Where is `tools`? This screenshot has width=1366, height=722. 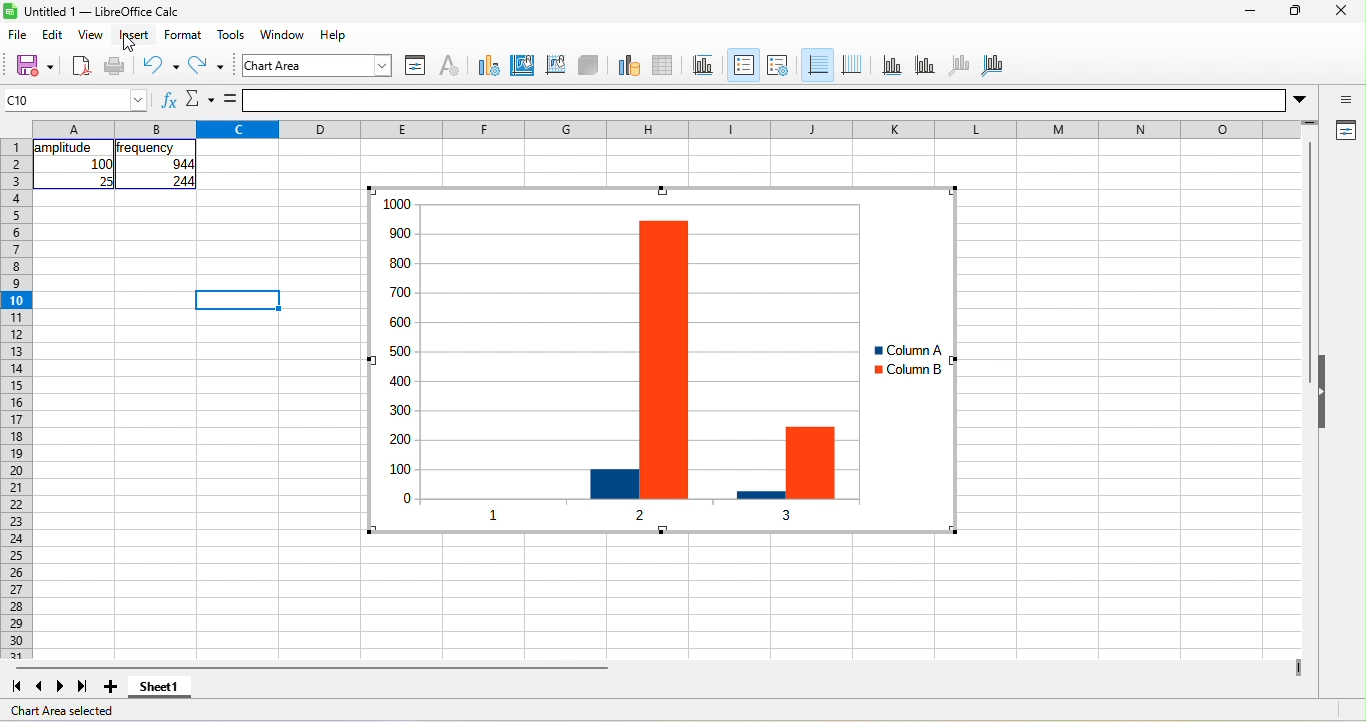 tools is located at coordinates (231, 35).